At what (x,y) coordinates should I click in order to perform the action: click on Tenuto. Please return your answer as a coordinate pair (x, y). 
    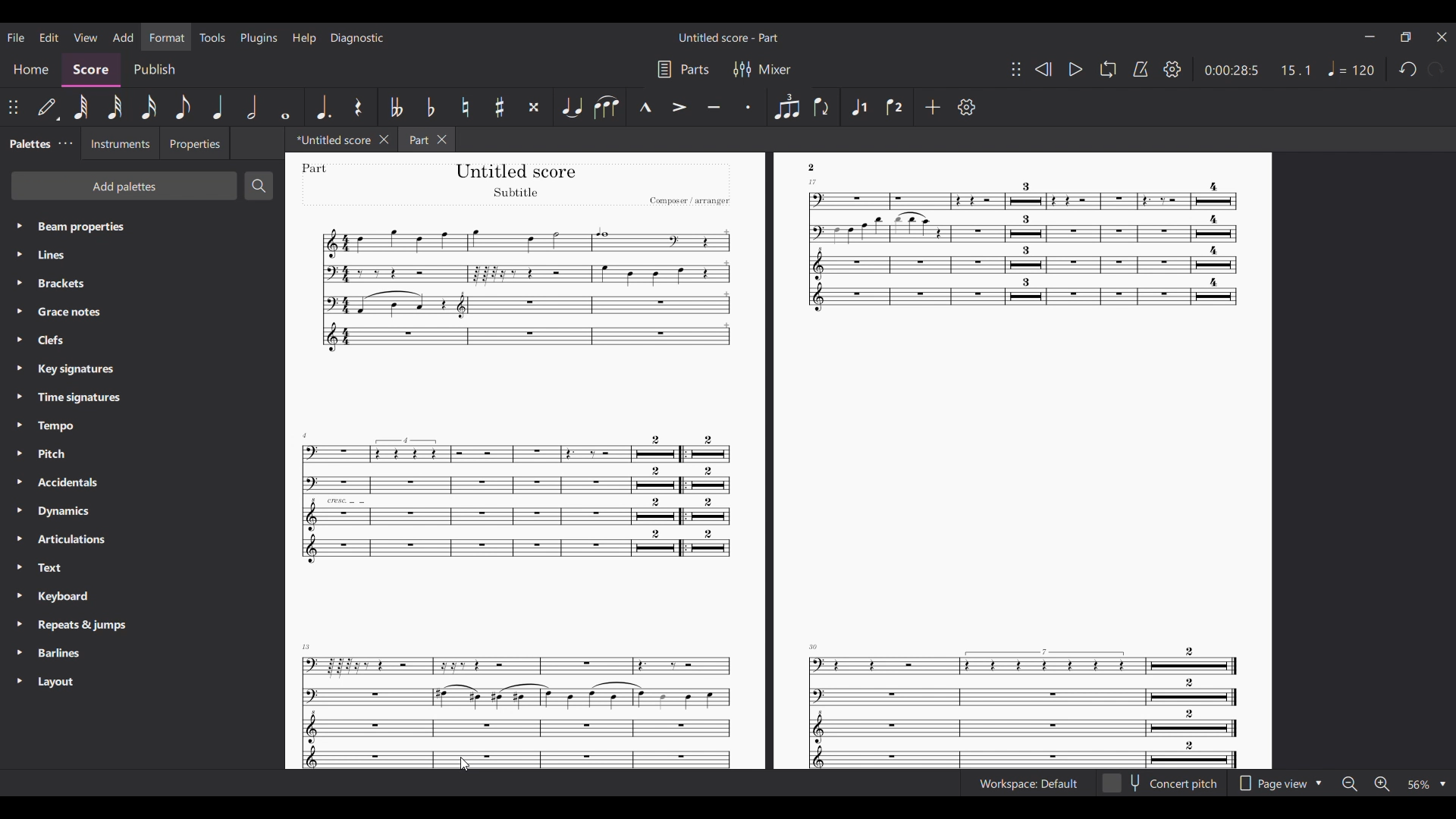
    Looking at the image, I should click on (714, 107).